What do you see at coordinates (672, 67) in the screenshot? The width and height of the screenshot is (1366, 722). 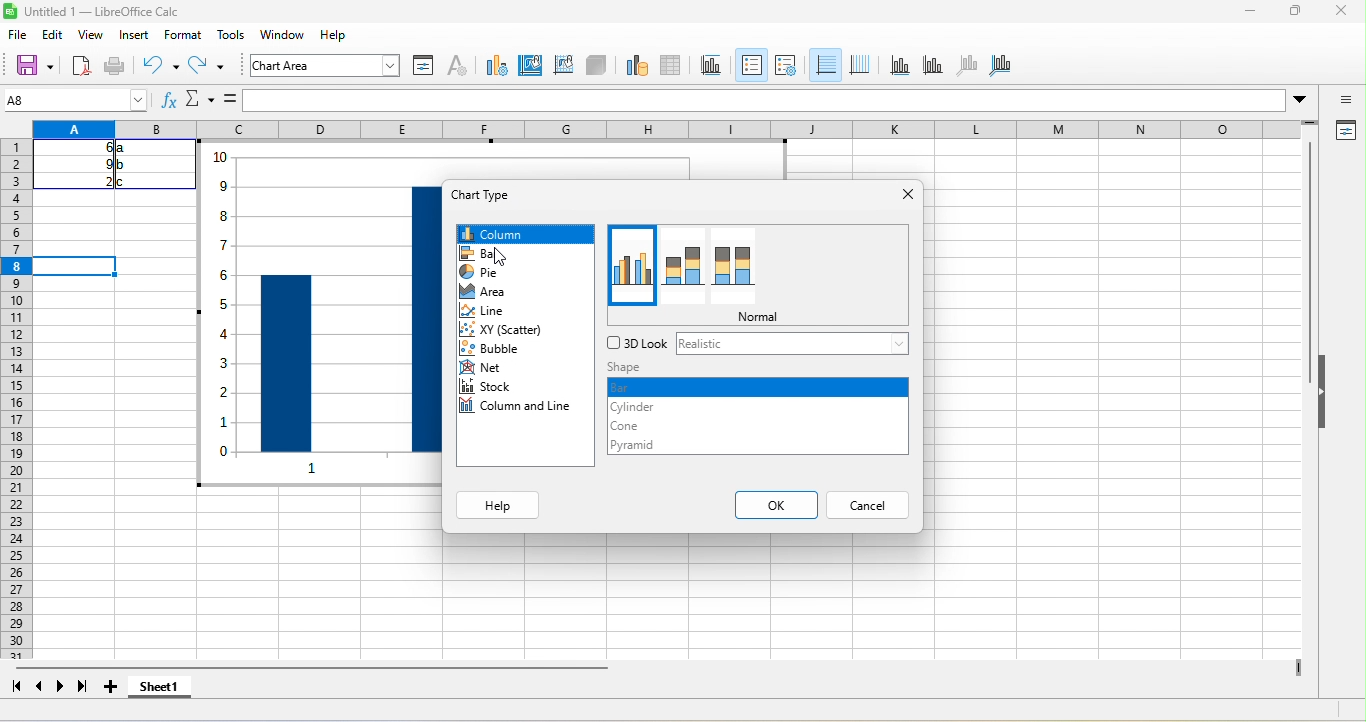 I see `data table` at bounding box center [672, 67].